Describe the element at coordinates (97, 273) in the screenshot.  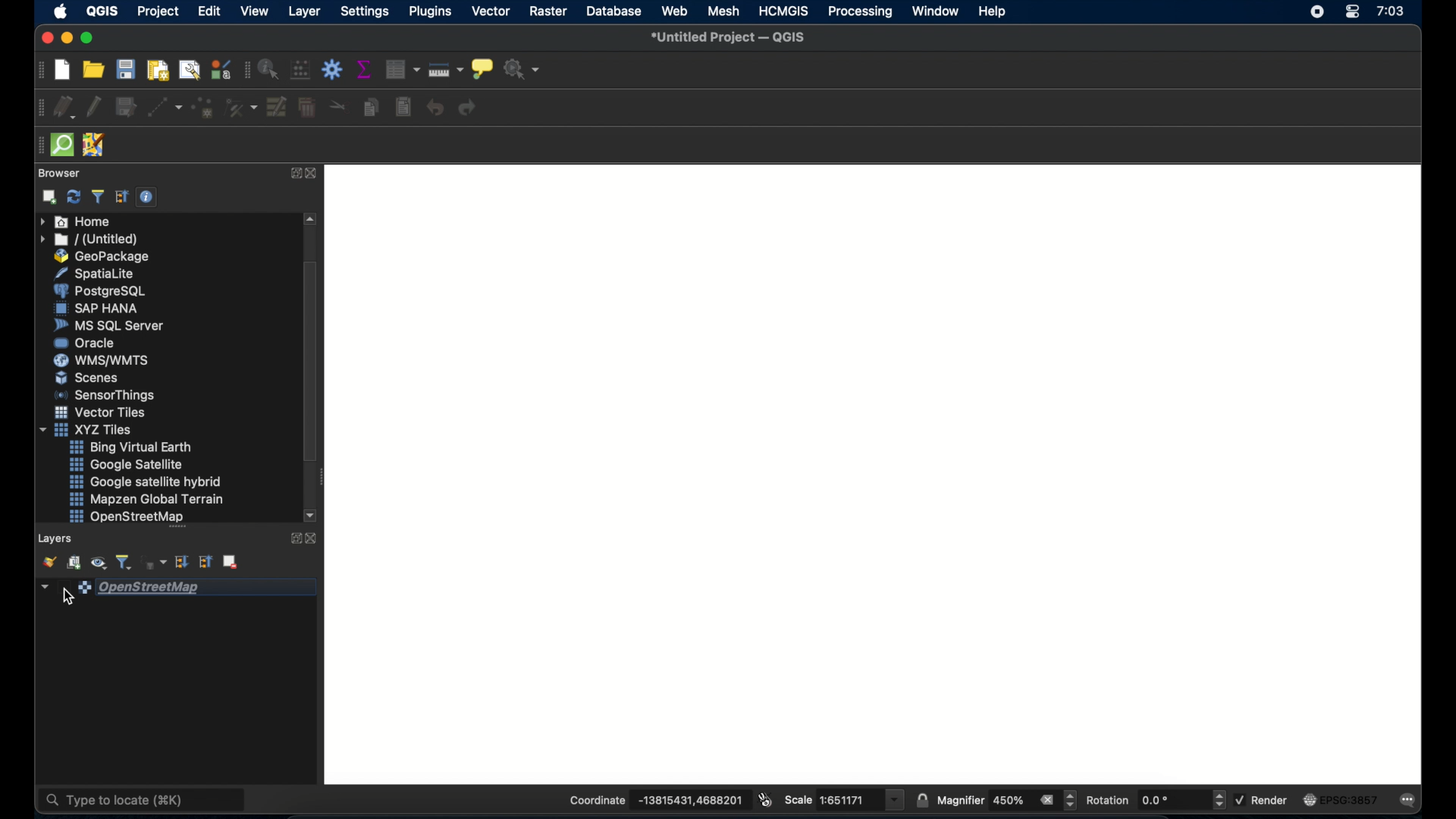
I see `spatiallite` at that location.